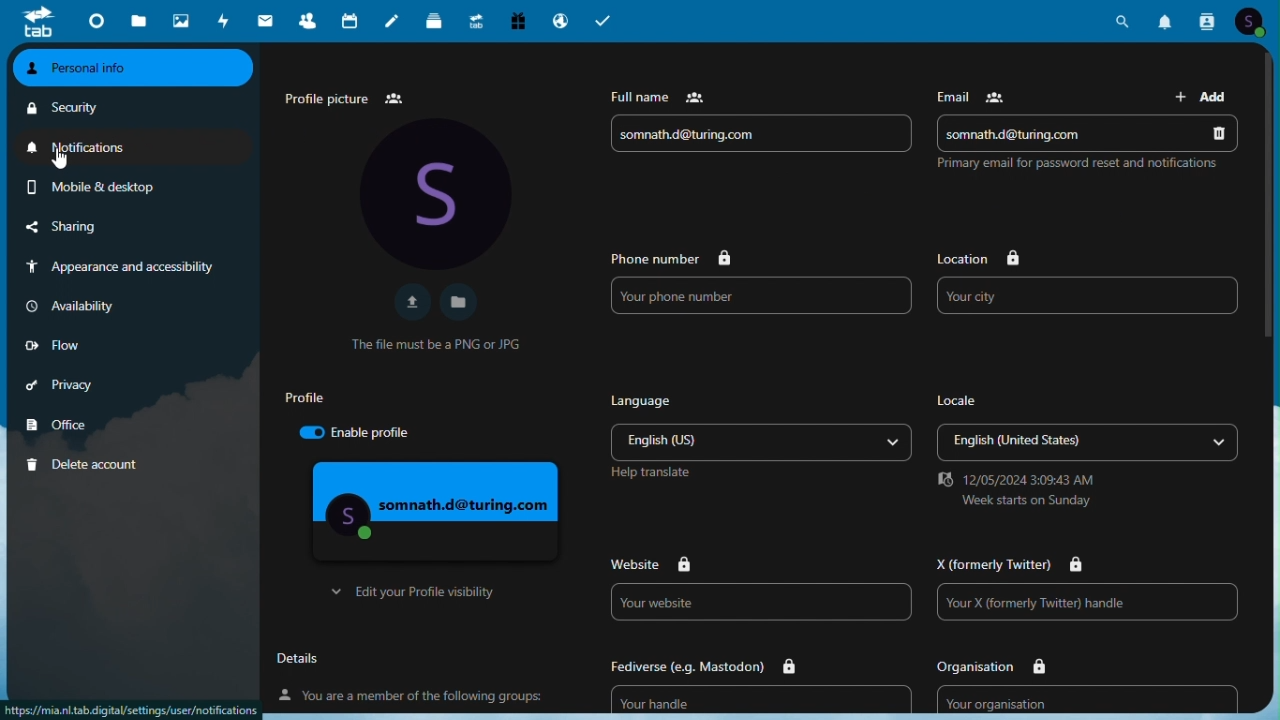  Describe the element at coordinates (353, 19) in the screenshot. I see `Calendar` at that location.